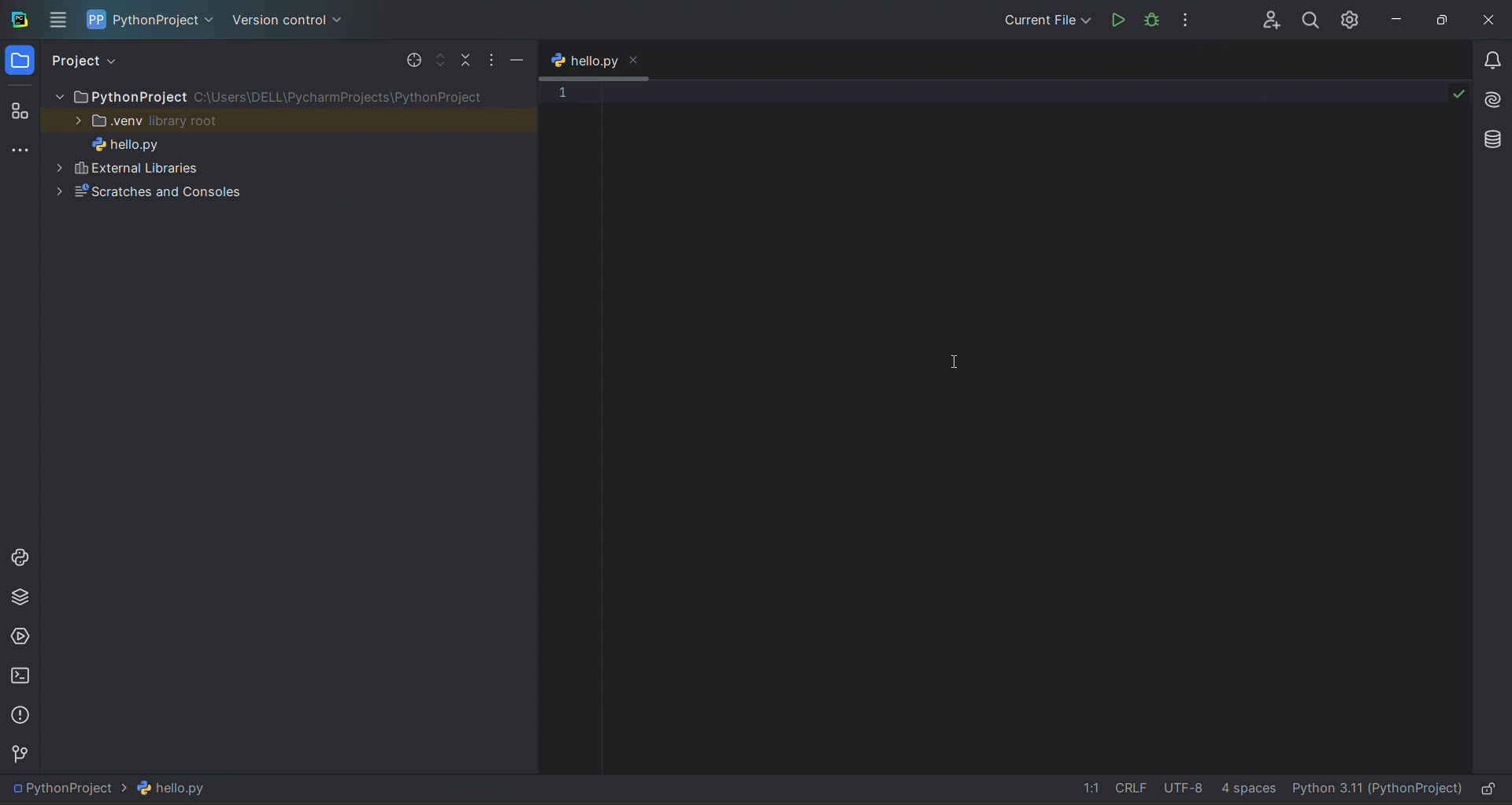 Image resolution: width=1512 pixels, height=805 pixels. I want to click on project window, so click(20, 58).